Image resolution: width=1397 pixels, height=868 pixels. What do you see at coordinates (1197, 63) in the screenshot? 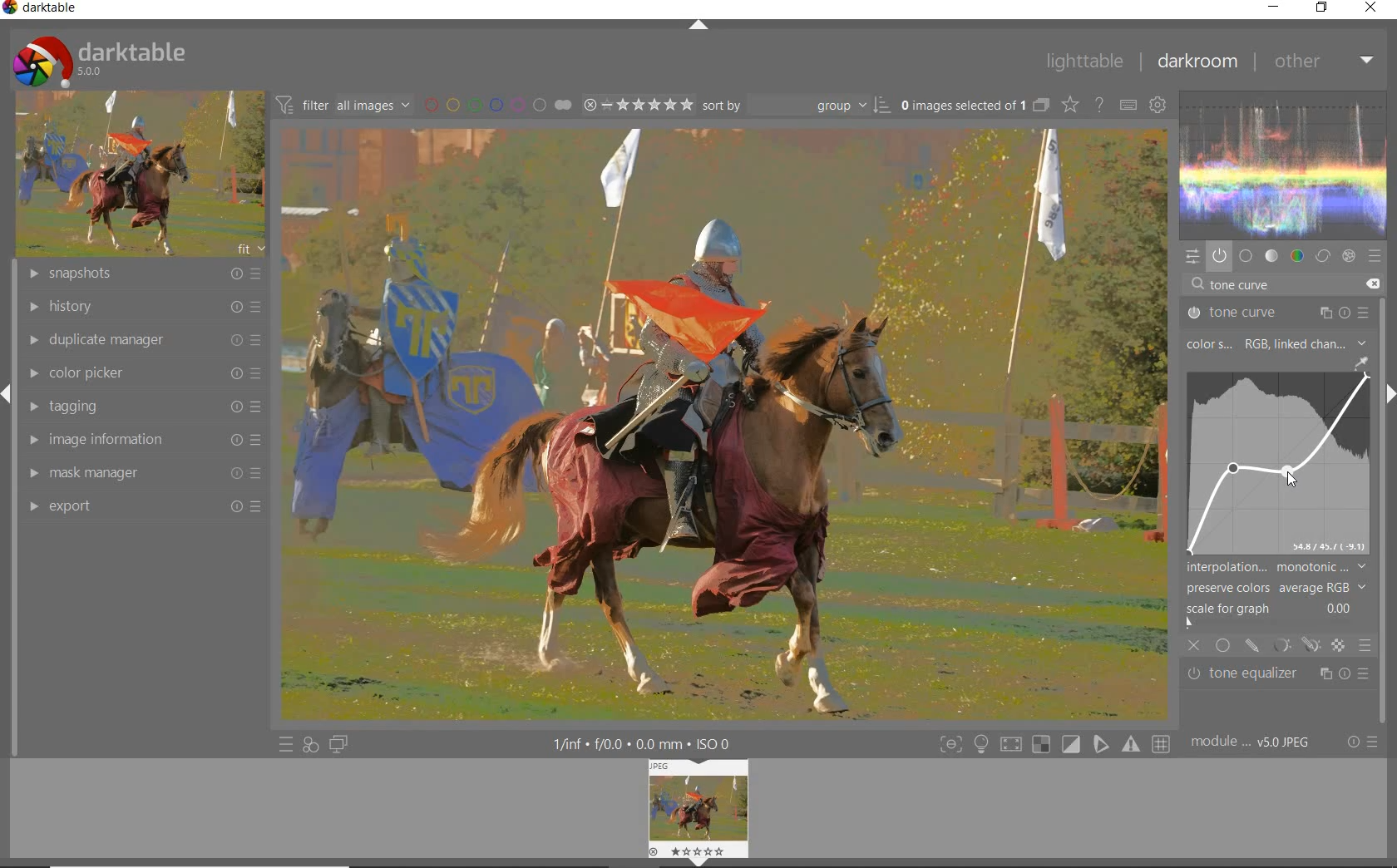
I see `darkroom` at bounding box center [1197, 63].